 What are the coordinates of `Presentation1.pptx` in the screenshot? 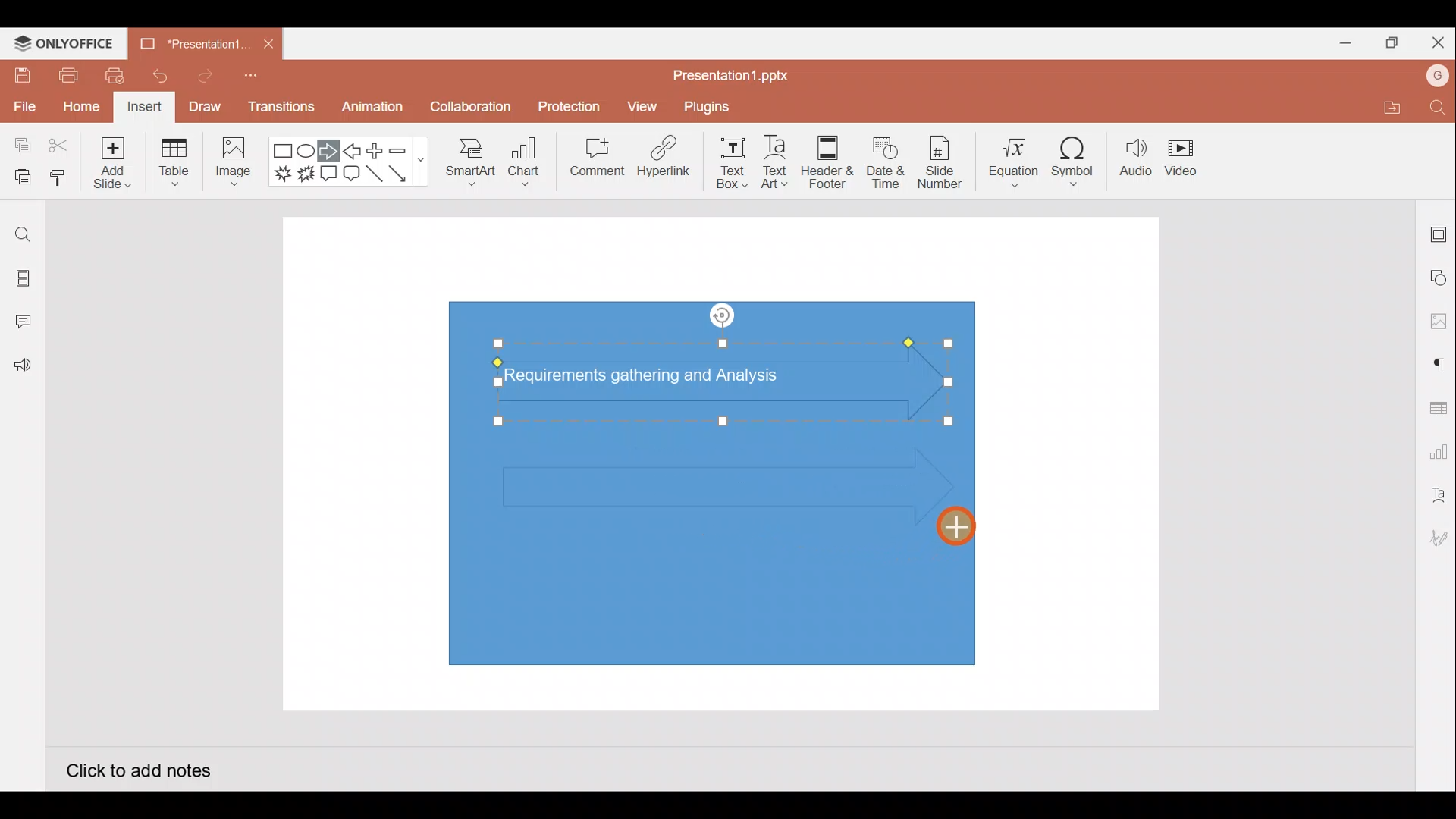 It's located at (736, 71).